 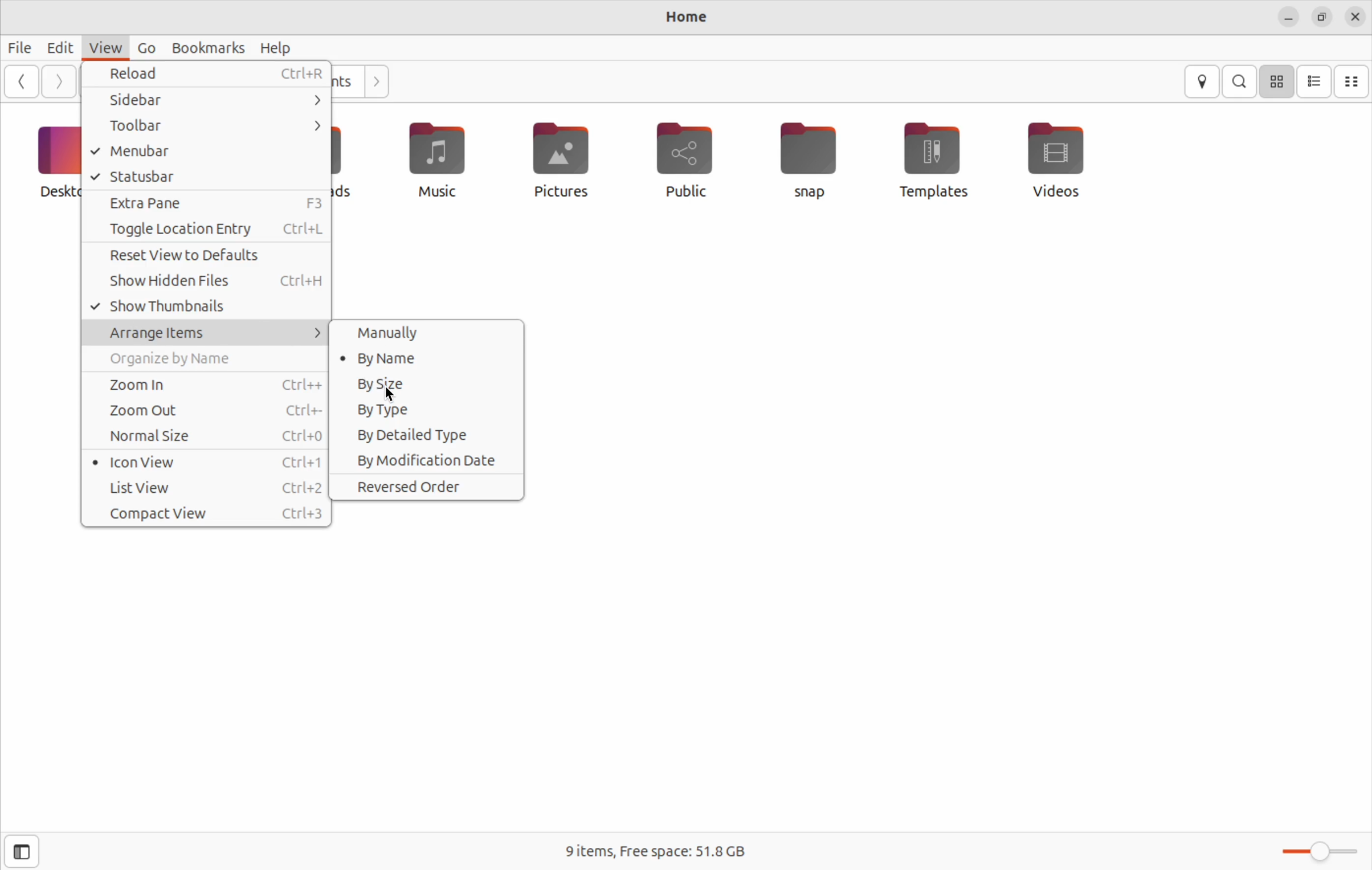 I want to click on Go back ward, so click(x=23, y=81).